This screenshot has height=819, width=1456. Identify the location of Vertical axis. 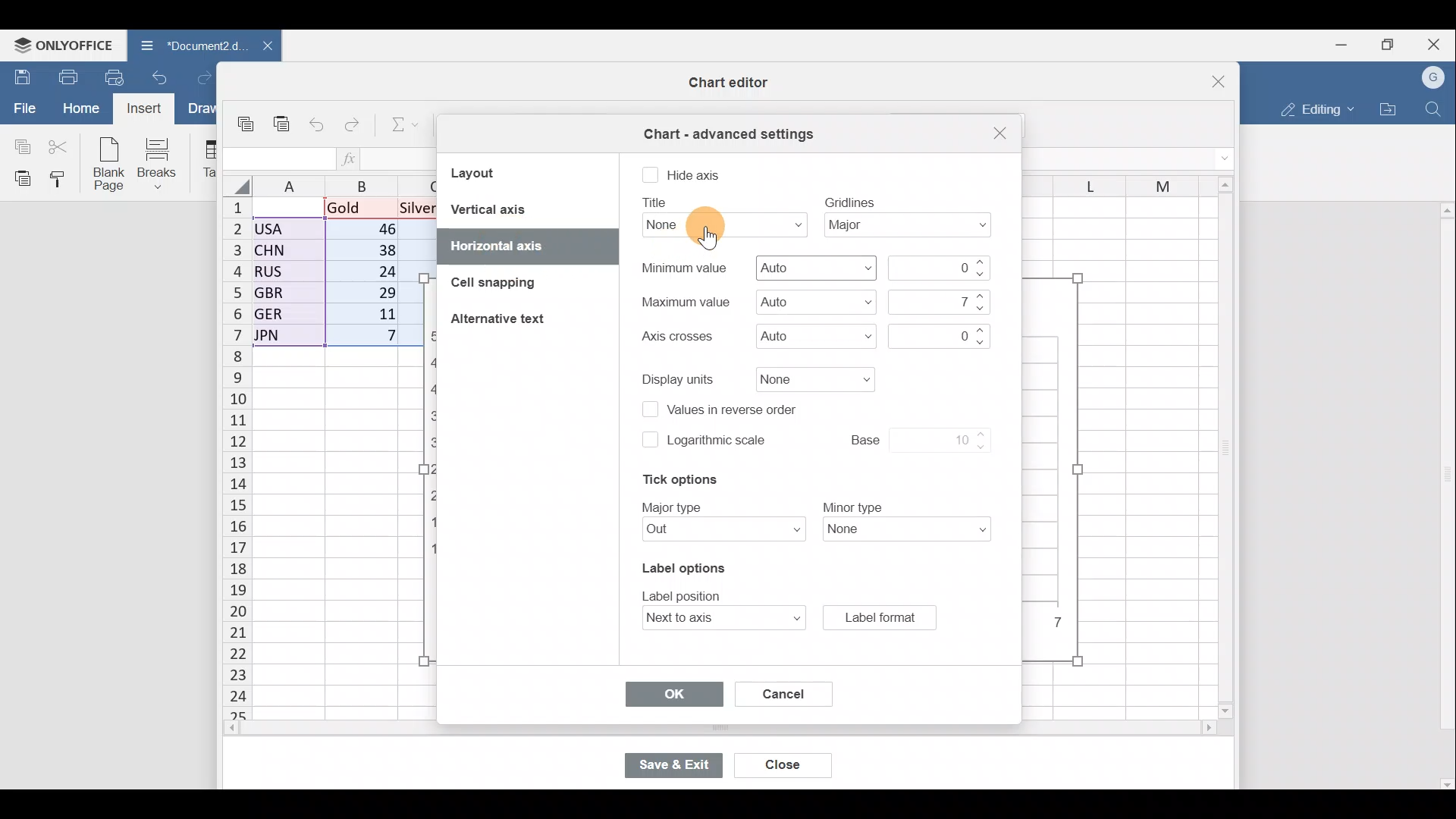
(525, 209).